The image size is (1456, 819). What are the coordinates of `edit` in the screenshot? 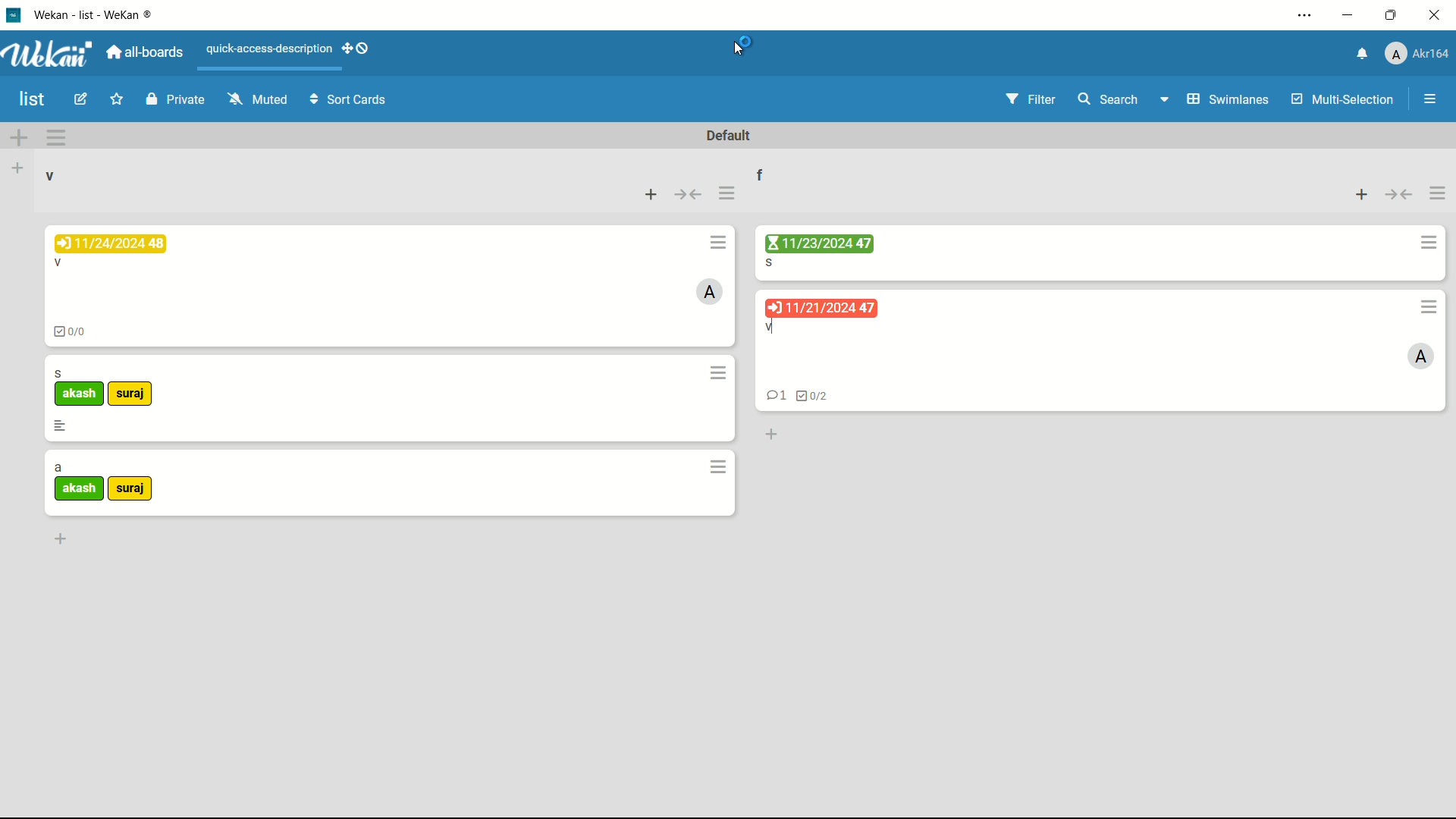 It's located at (80, 99).